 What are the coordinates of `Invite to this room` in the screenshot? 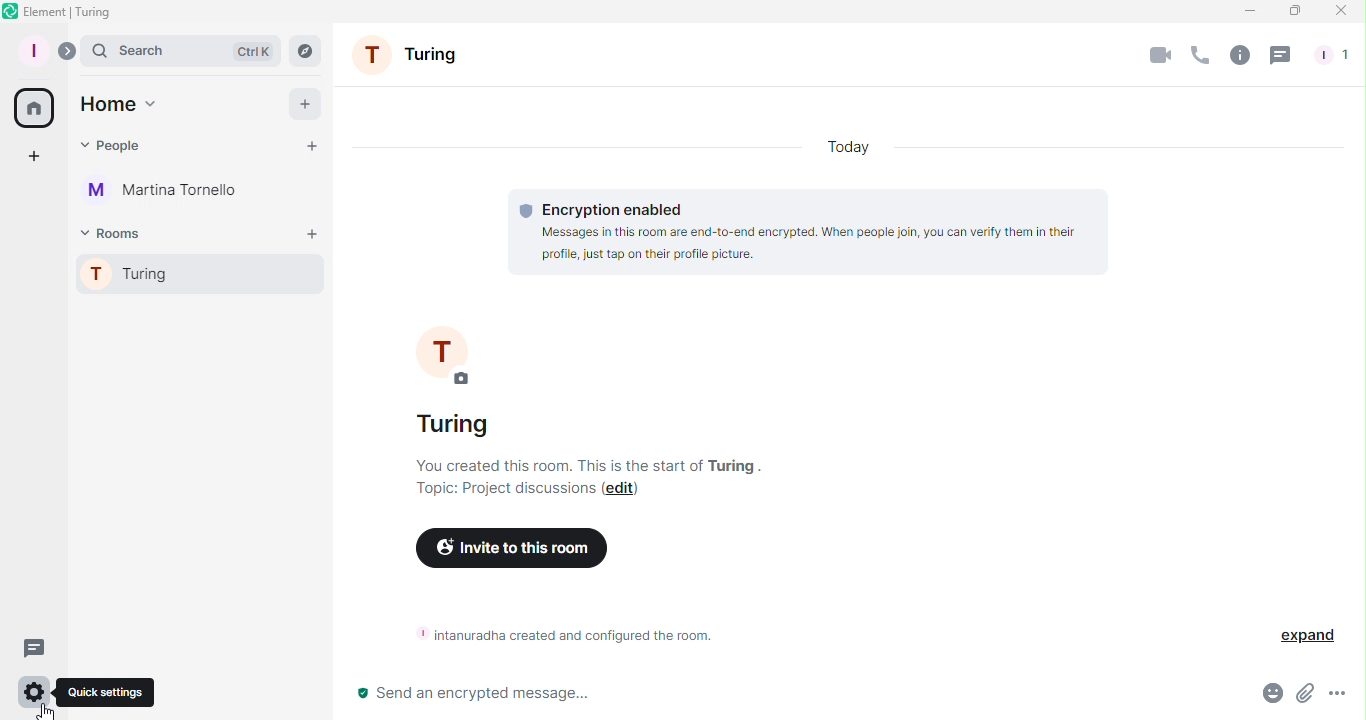 It's located at (512, 547).